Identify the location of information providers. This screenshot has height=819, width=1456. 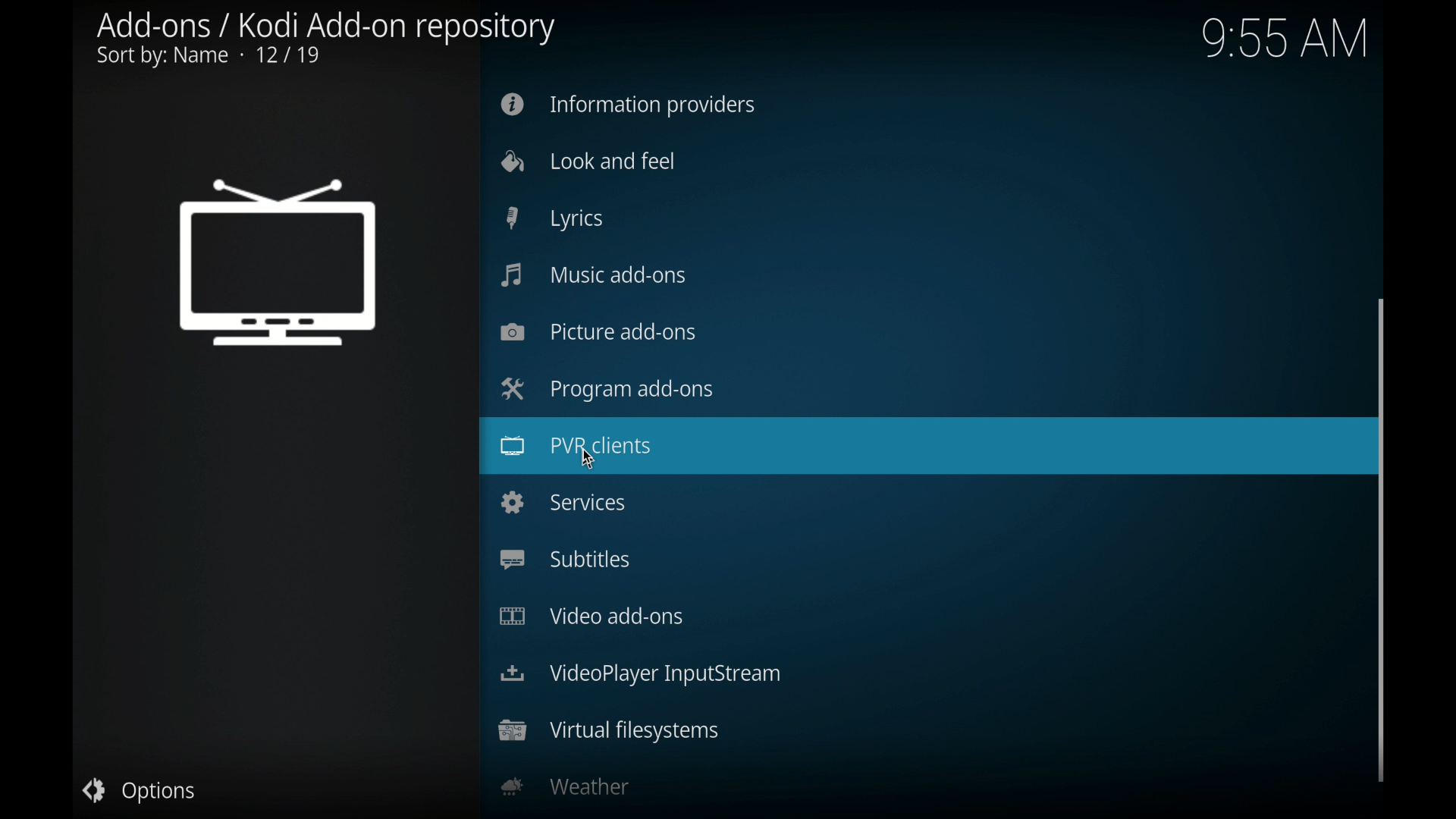
(626, 104).